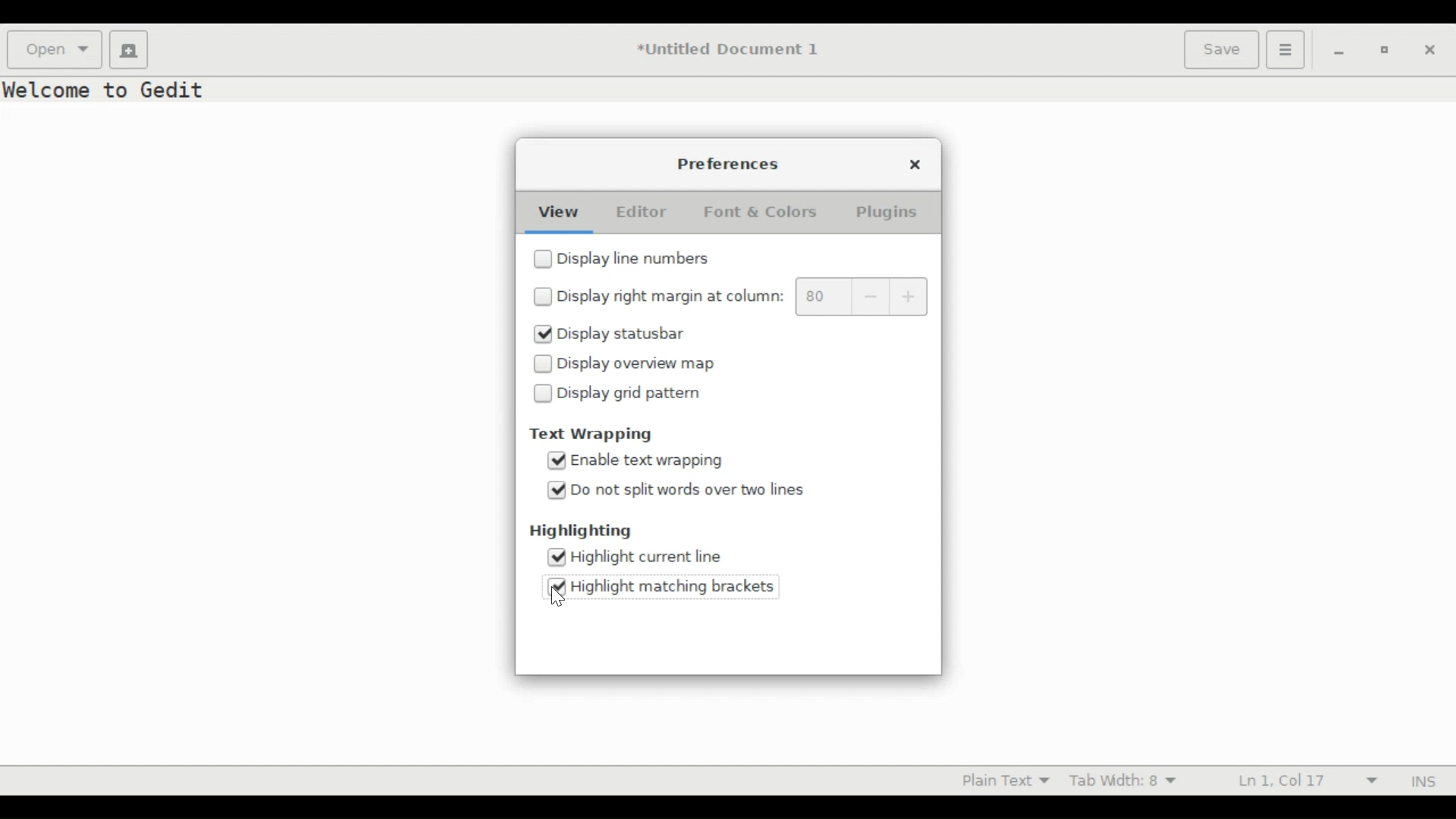 The height and width of the screenshot is (819, 1456). Describe the element at coordinates (648, 557) in the screenshot. I see `Highlight current line` at that location.